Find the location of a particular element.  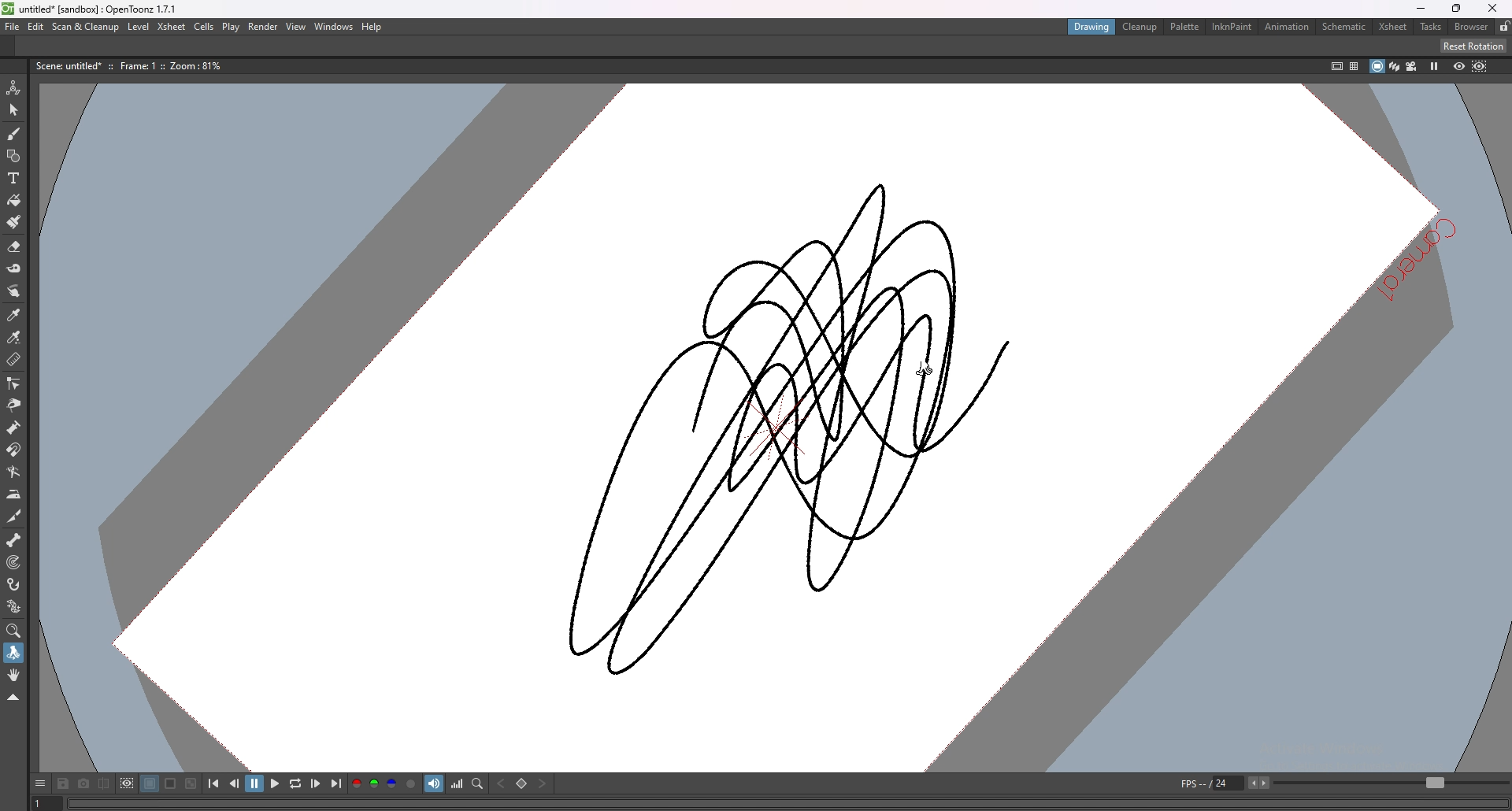

selection tool is located at coordinates (13, 110).